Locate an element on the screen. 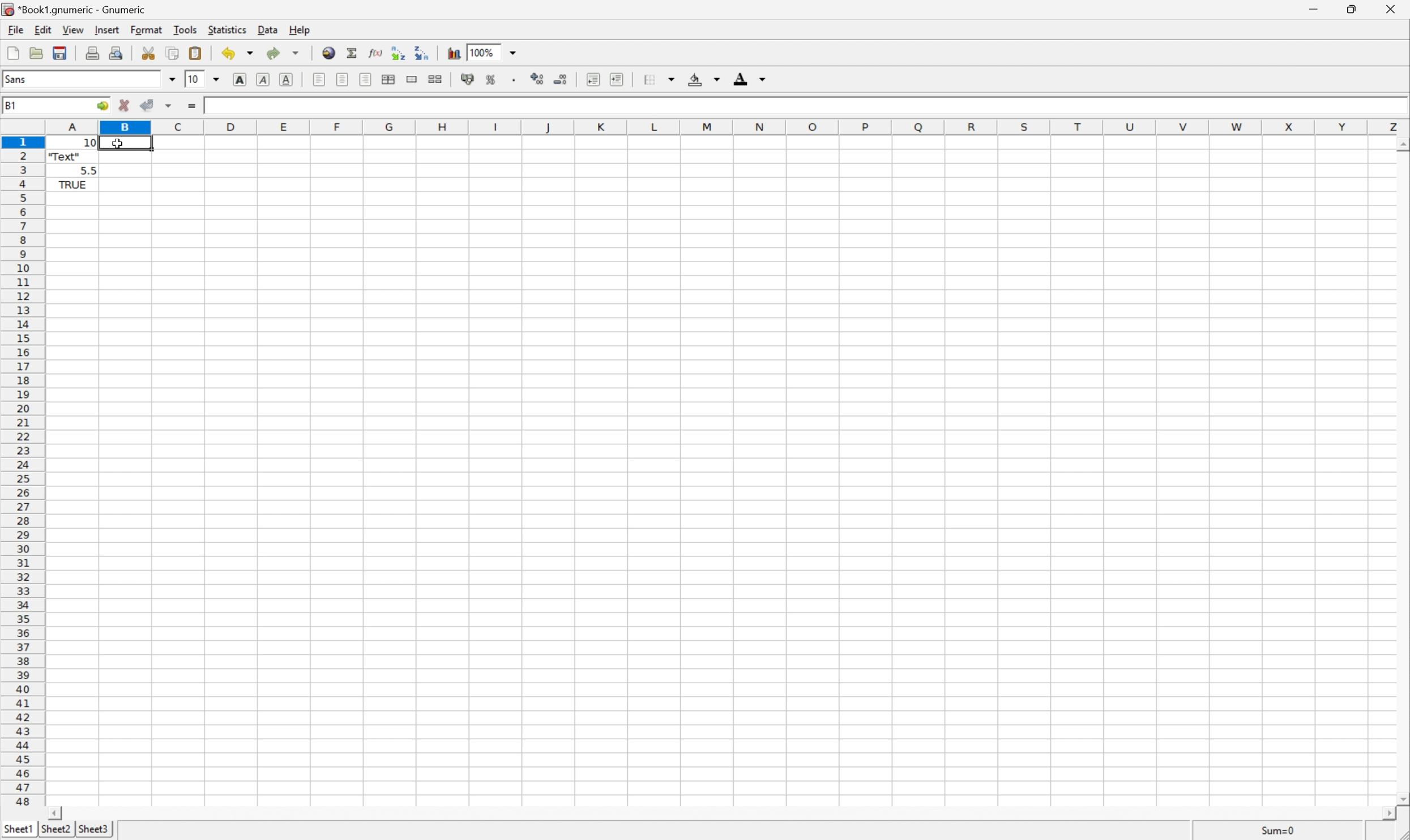 The image size is (1410, 840). Restore Down is located at coordinates (1354, 8).